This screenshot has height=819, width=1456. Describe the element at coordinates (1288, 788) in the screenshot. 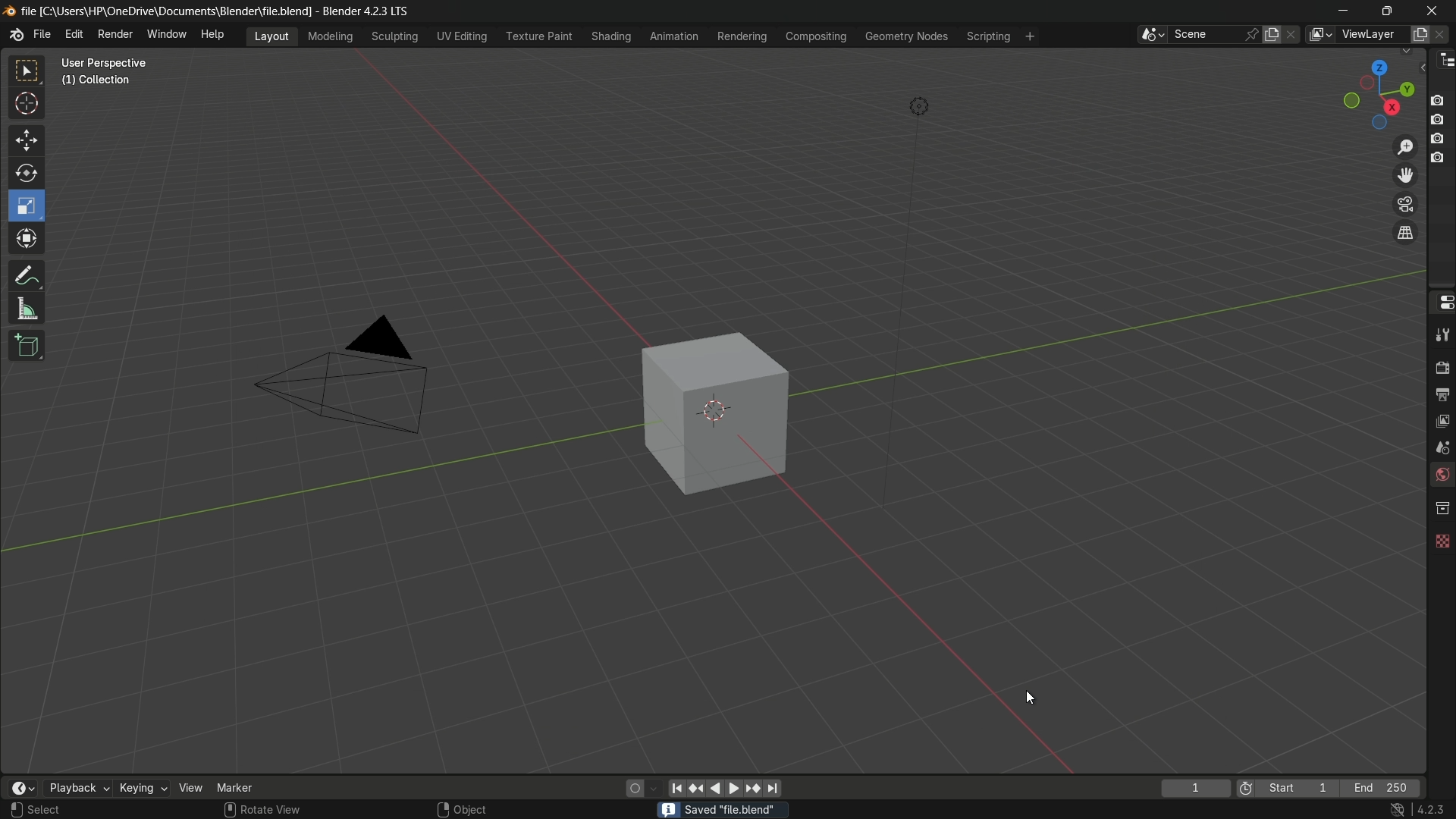

I see `first frame of the playback` at that location.